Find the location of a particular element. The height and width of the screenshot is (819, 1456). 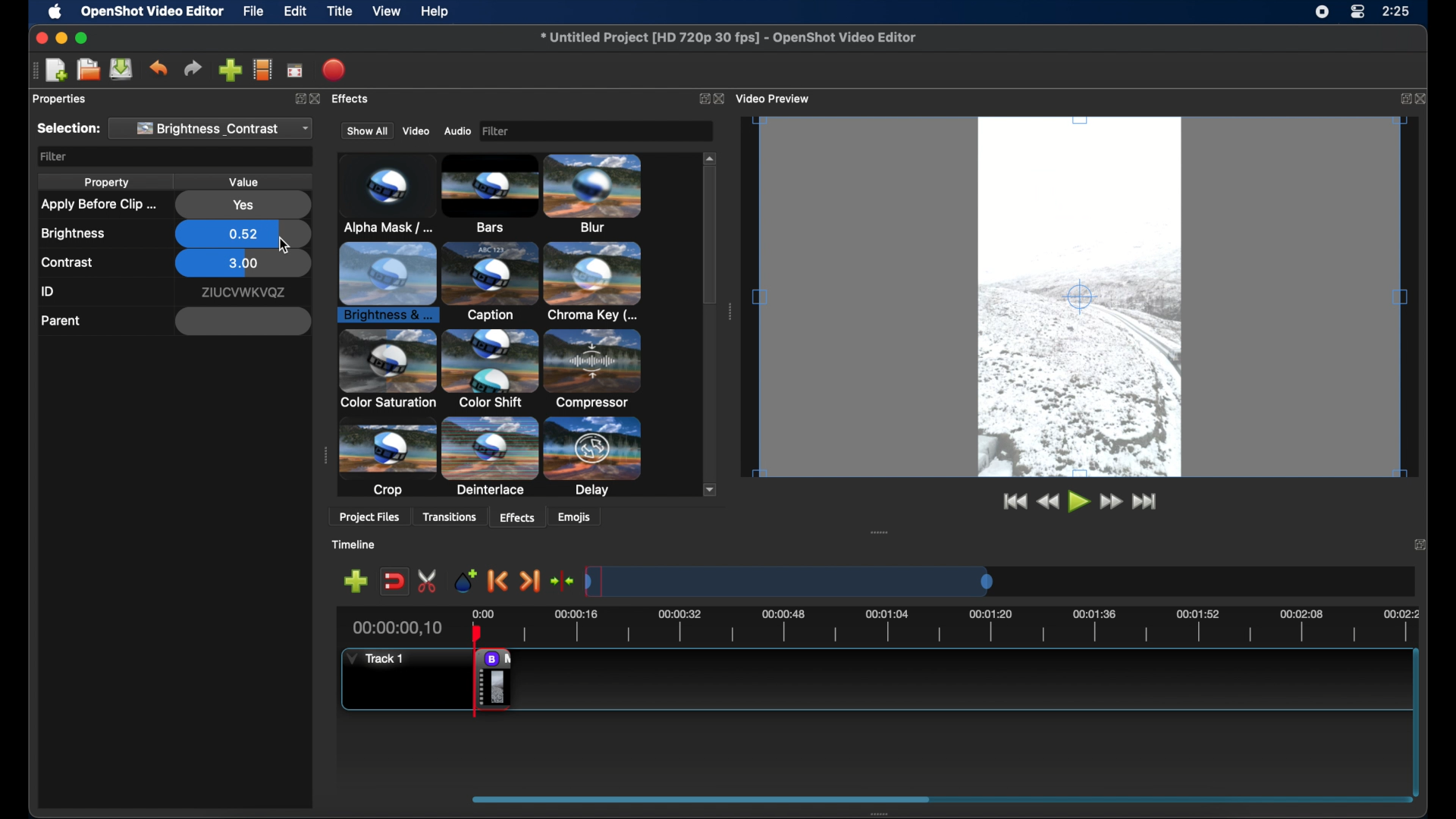

show all is located at coordinates (365, 131).